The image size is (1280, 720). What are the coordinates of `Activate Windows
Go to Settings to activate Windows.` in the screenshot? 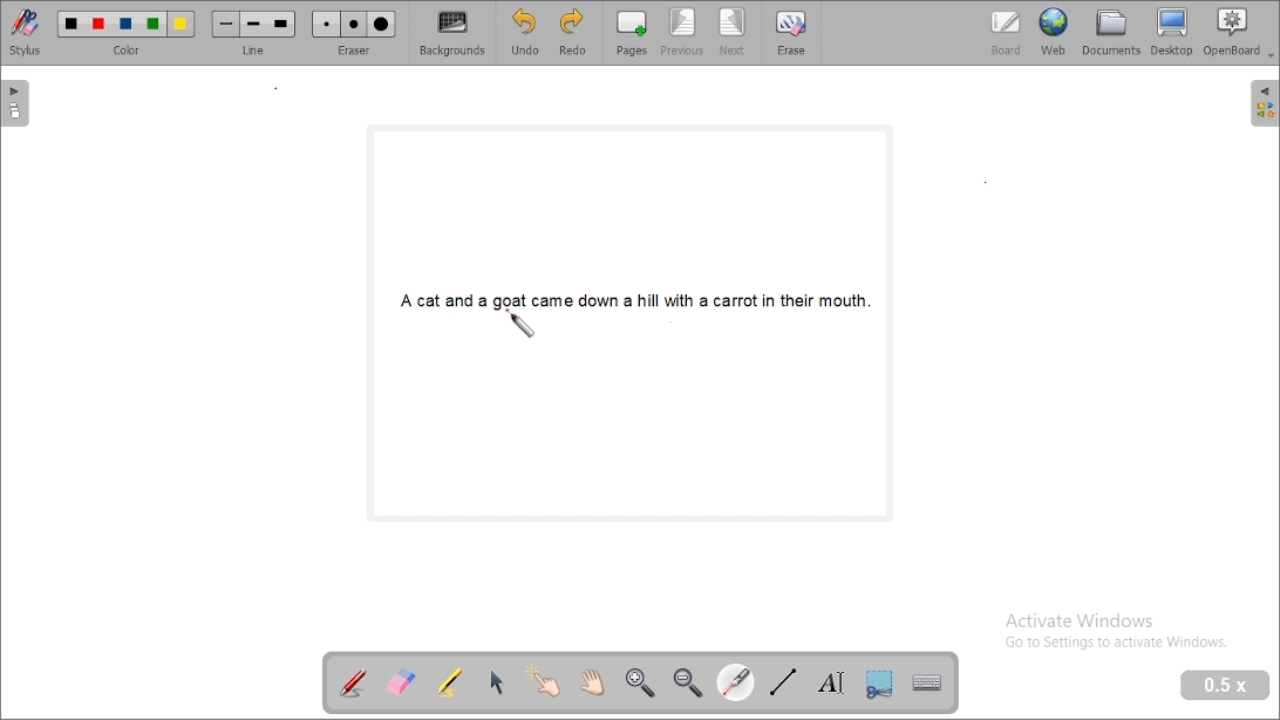 It's located at (1118, 633).